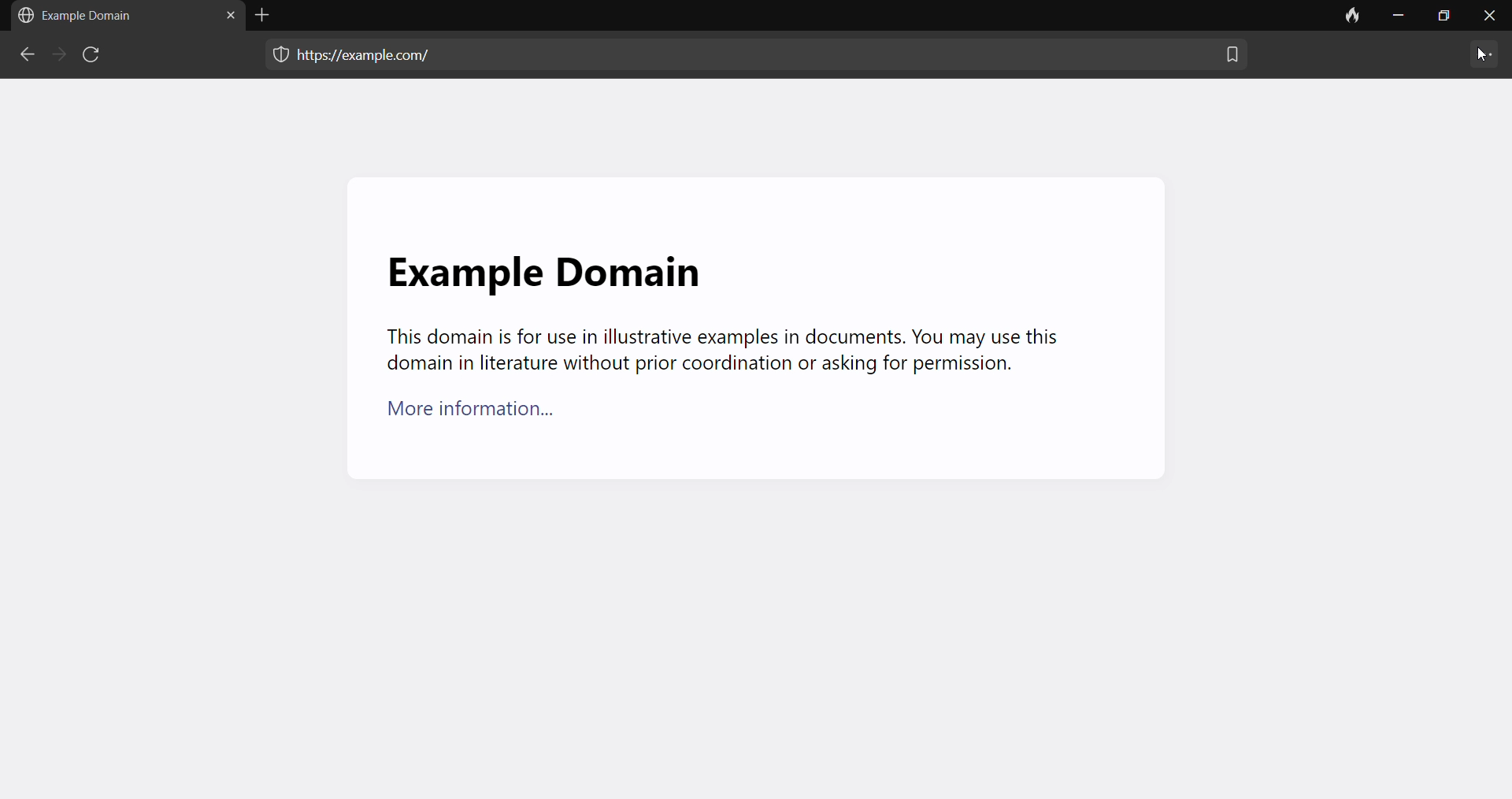  Describe the element at coordinates (481, 415) in the screenshot. I see `More information...` at that location.